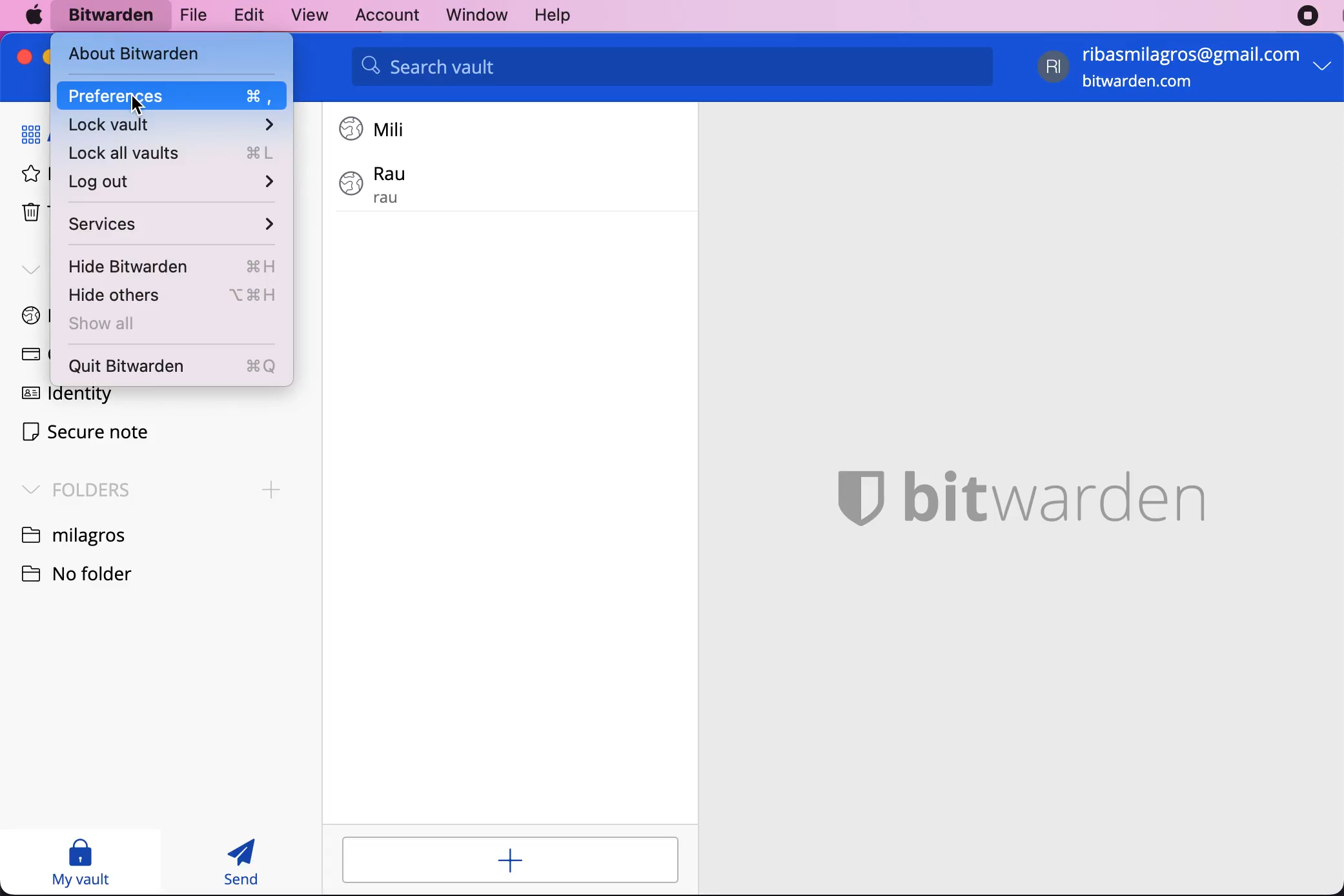  I want to click on all items, so click(28, 134).